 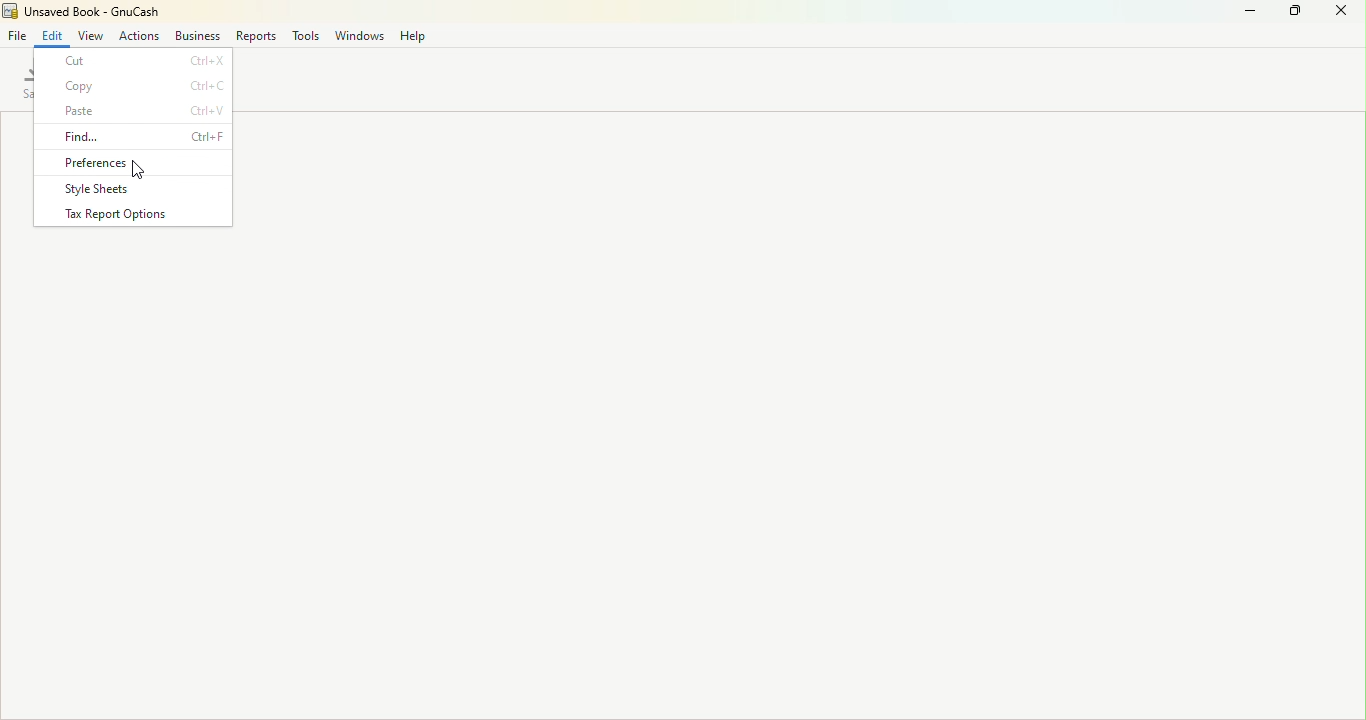 What do you see at coordinates (93, 35) in the screenshot?
I see `View` at bounding box center [93, 35].